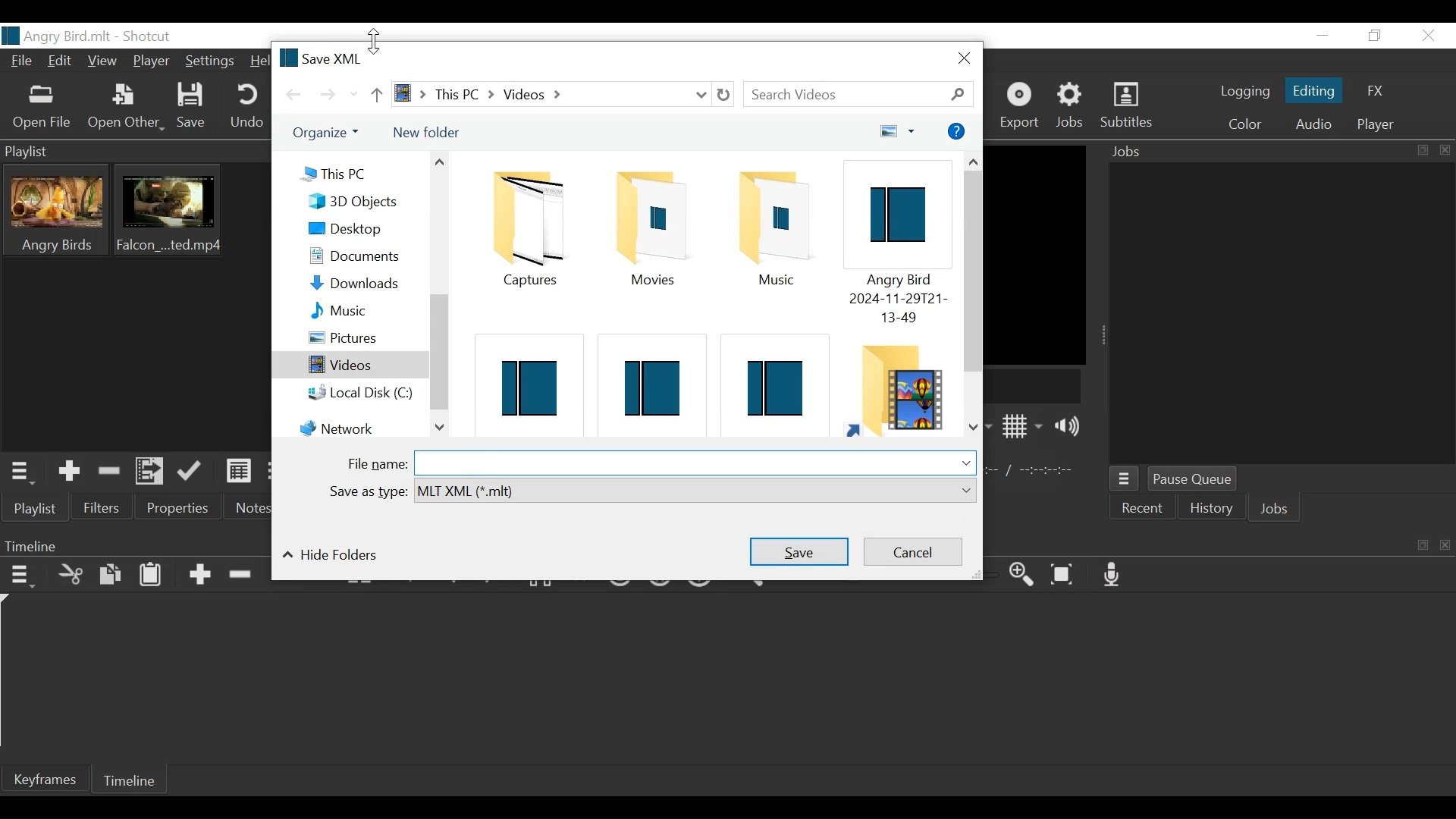 This screenshot has height=819, width=1456. What do you see at coordinates (647, 381) in the screenshot?
I see `Shotcut File` at bounding box center [647, 381].